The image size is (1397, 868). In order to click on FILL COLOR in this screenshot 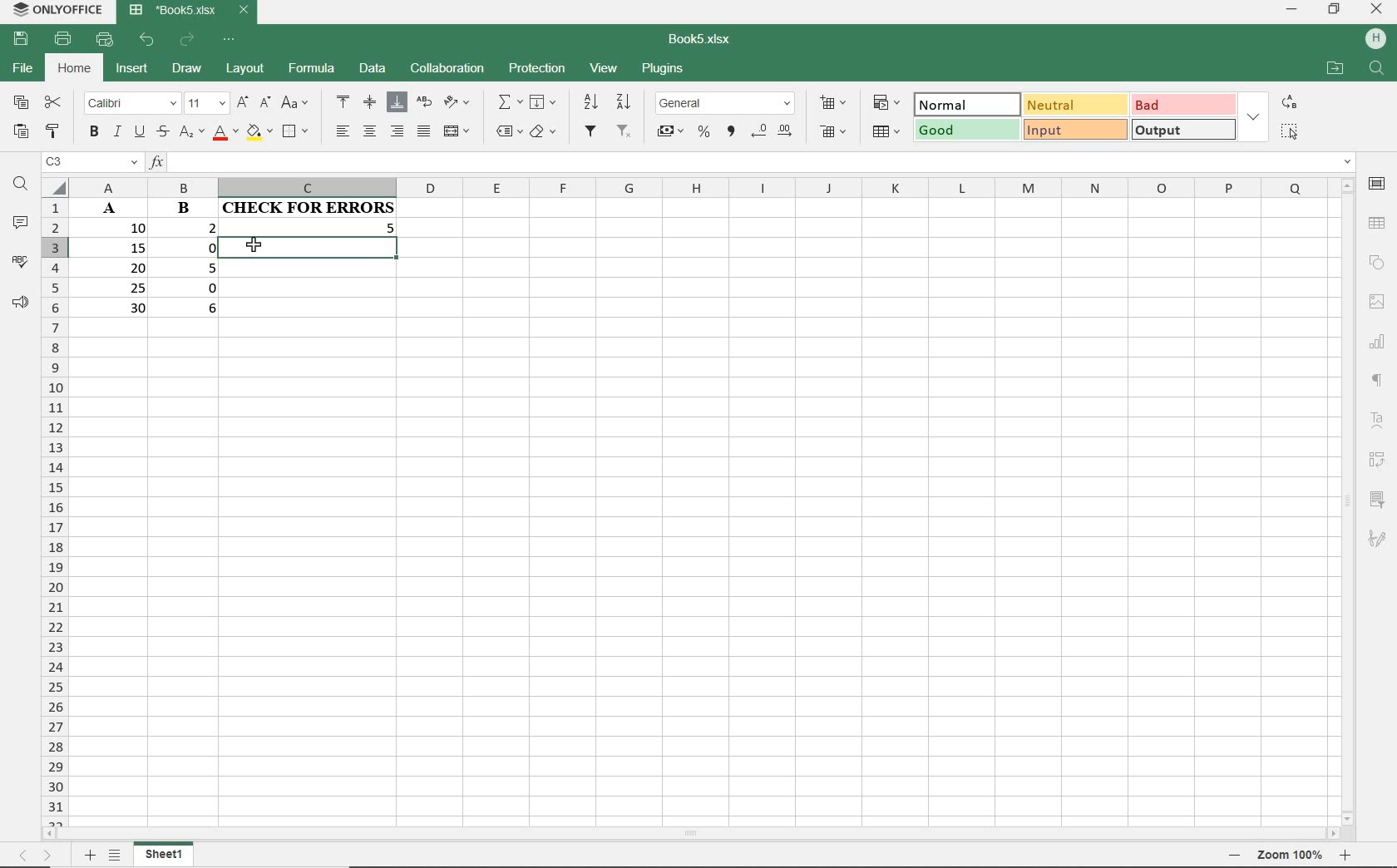, I will do `click(259, 134)`.